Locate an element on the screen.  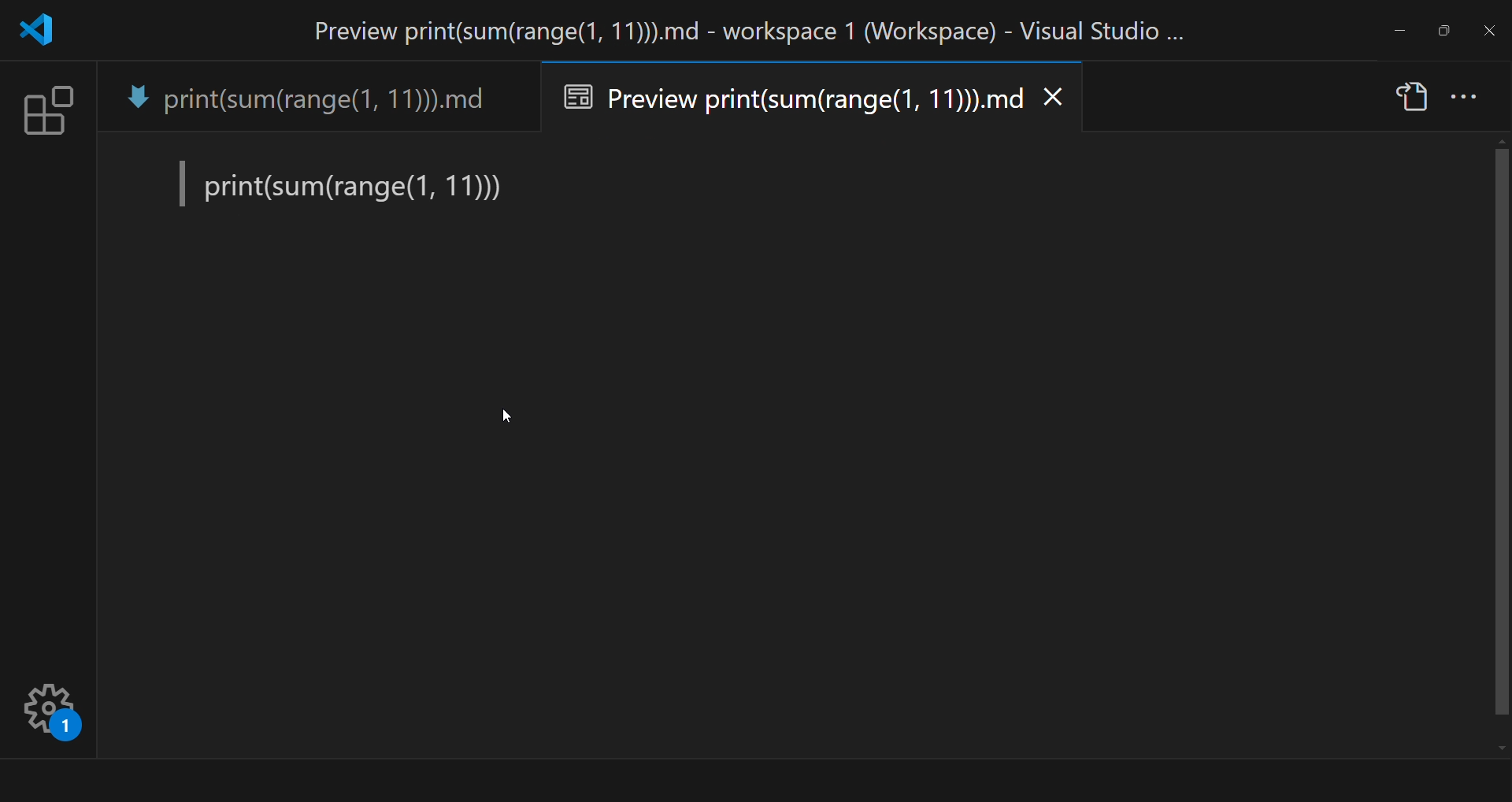
maximize is located at coordinates (1443, 34).